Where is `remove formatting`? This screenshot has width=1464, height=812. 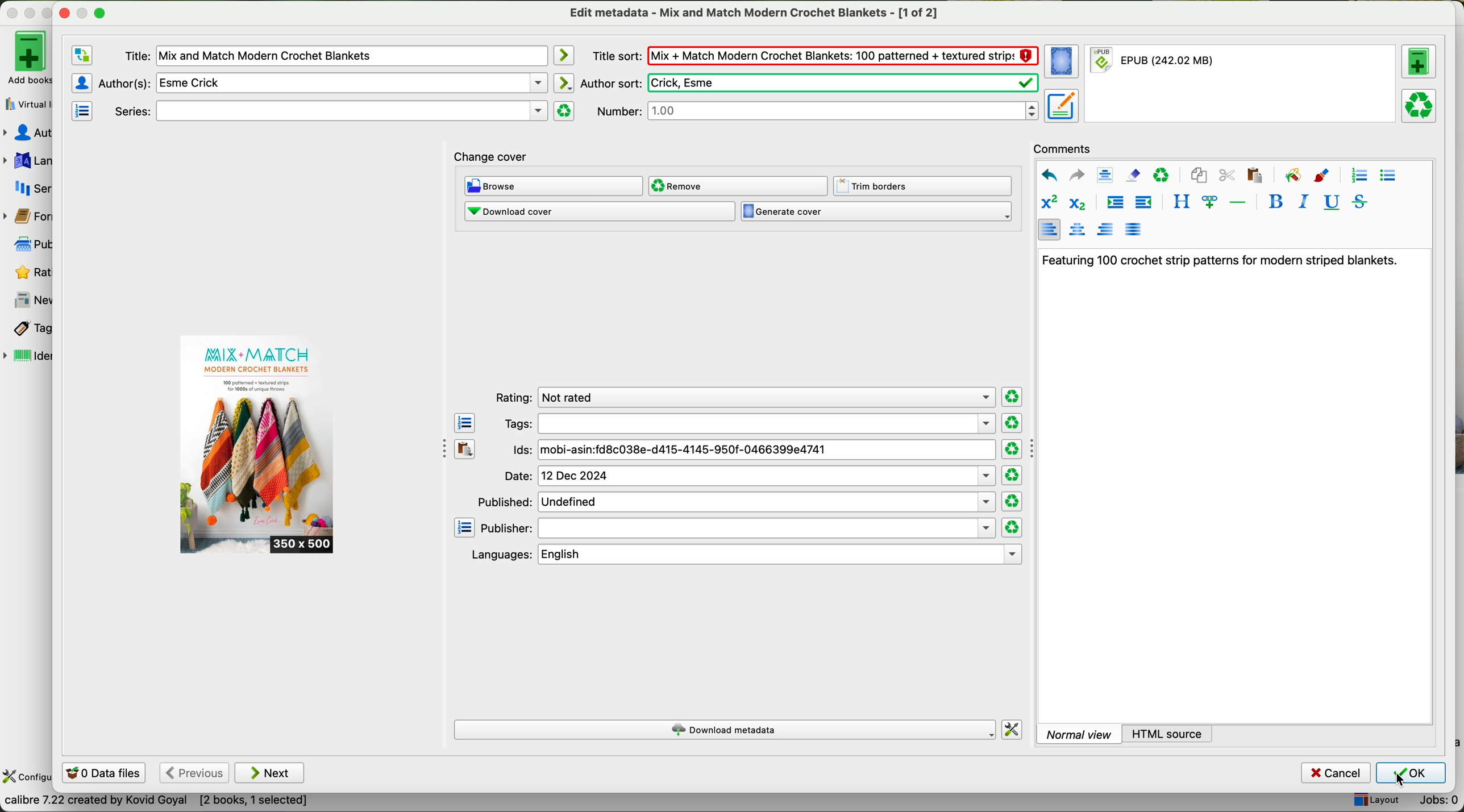
remove formatting is located at coordinates (1133, 174).